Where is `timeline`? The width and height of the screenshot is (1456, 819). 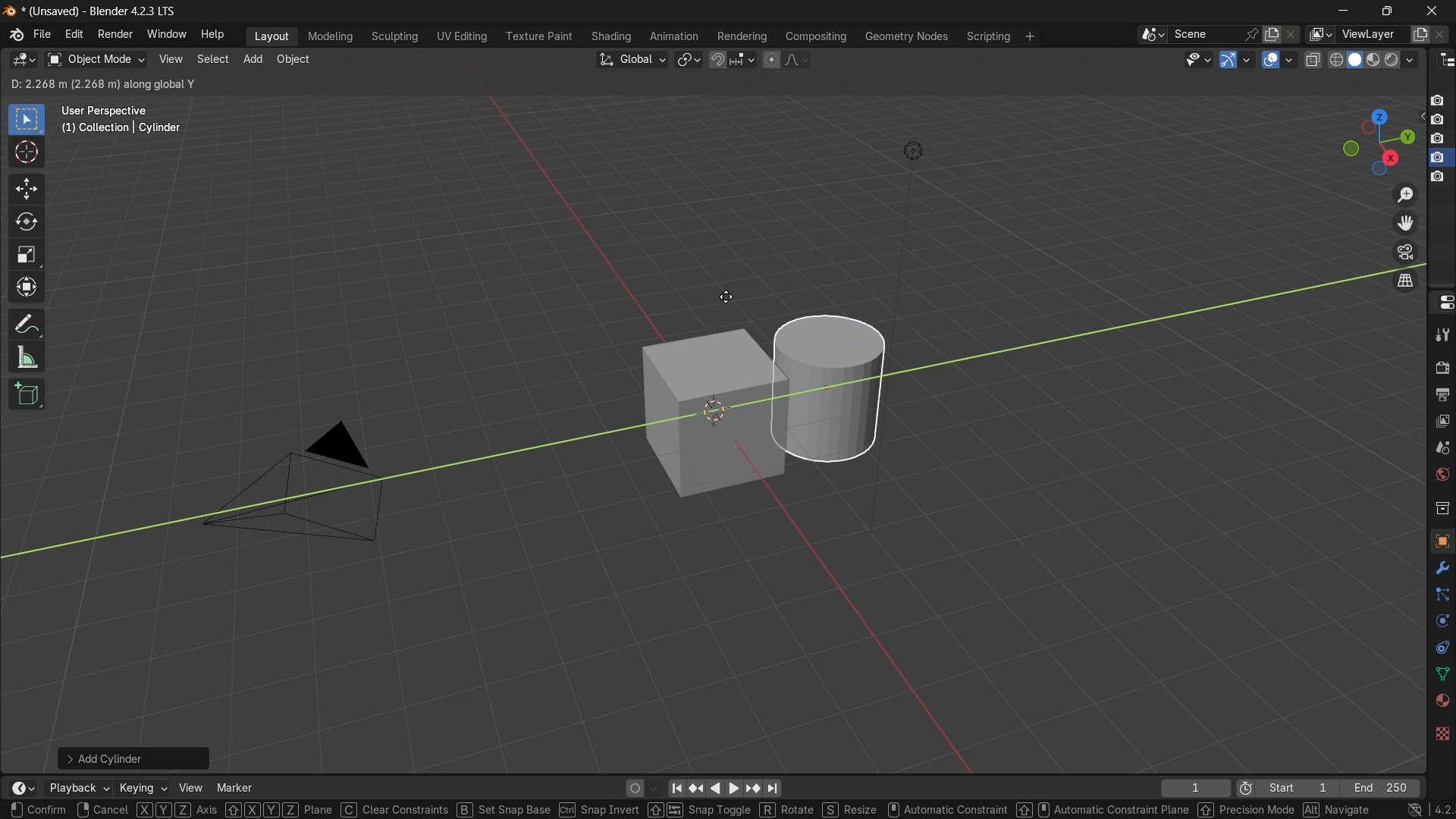
timeline is located at coordinates (22, 784).